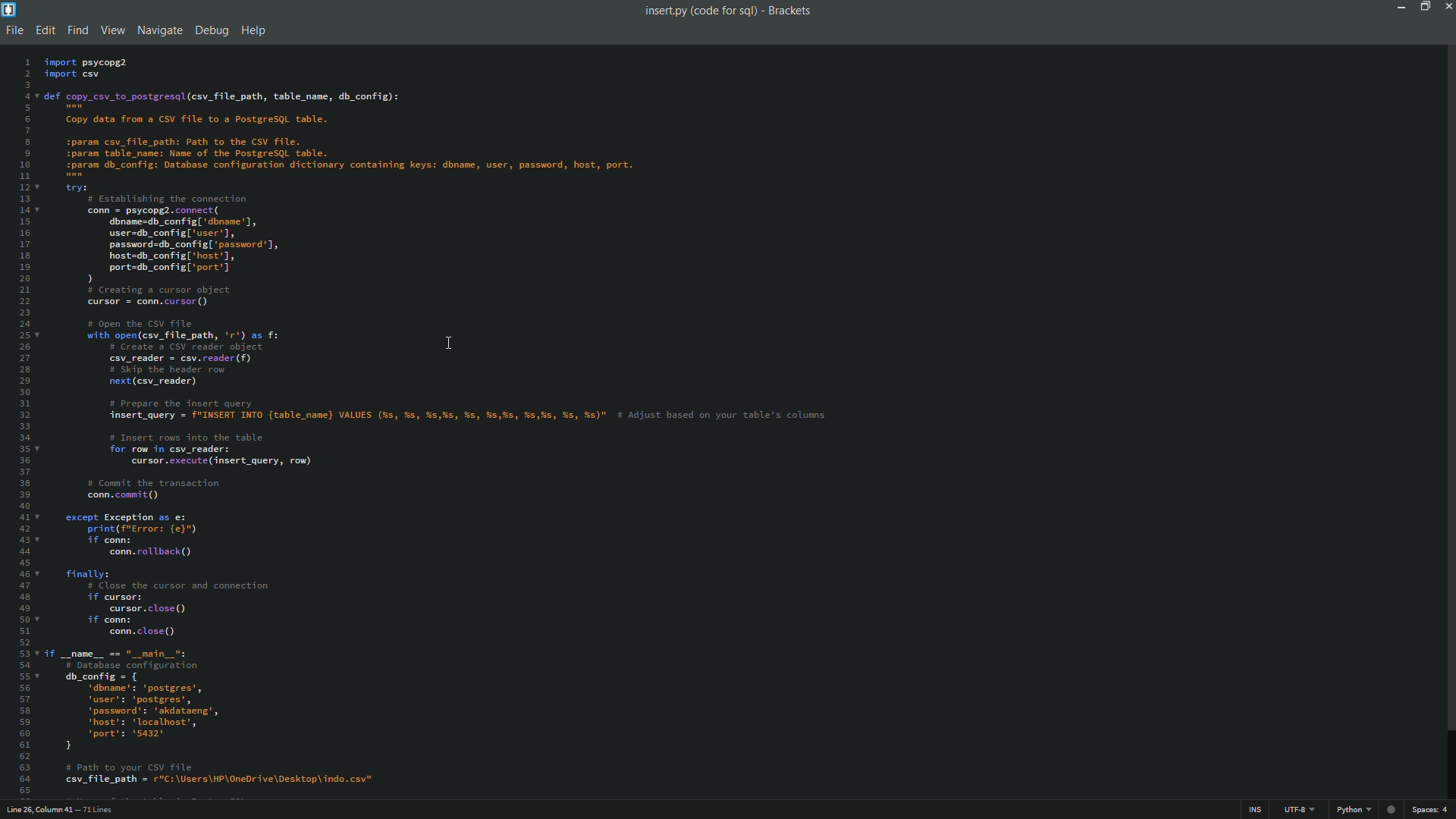  I want to click on scroll bar, so click(1450, 391).